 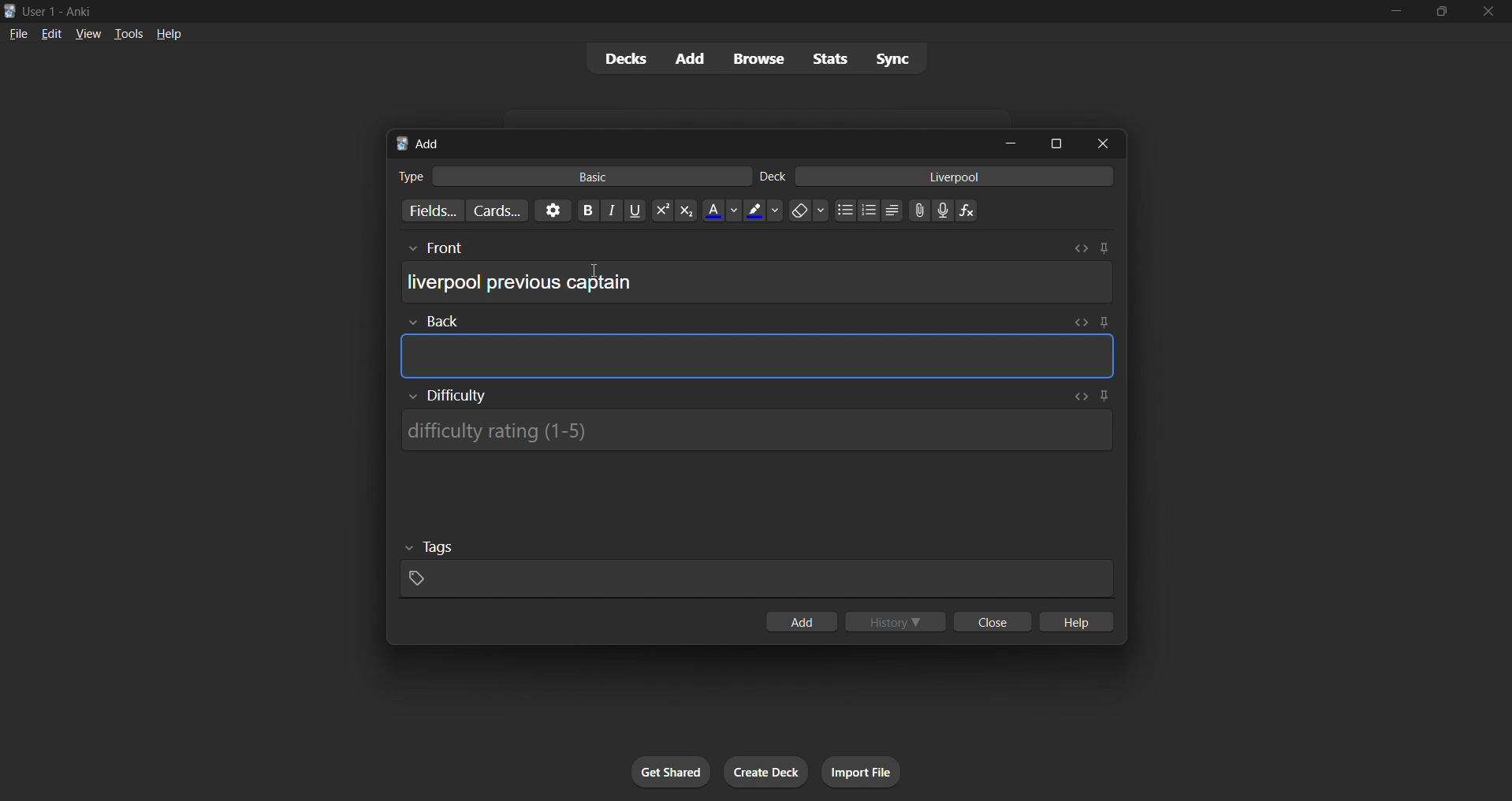 What do you see at coordinates (681, 9) in the screenshot?
I see `title bar` at bounding box center [681, 9].